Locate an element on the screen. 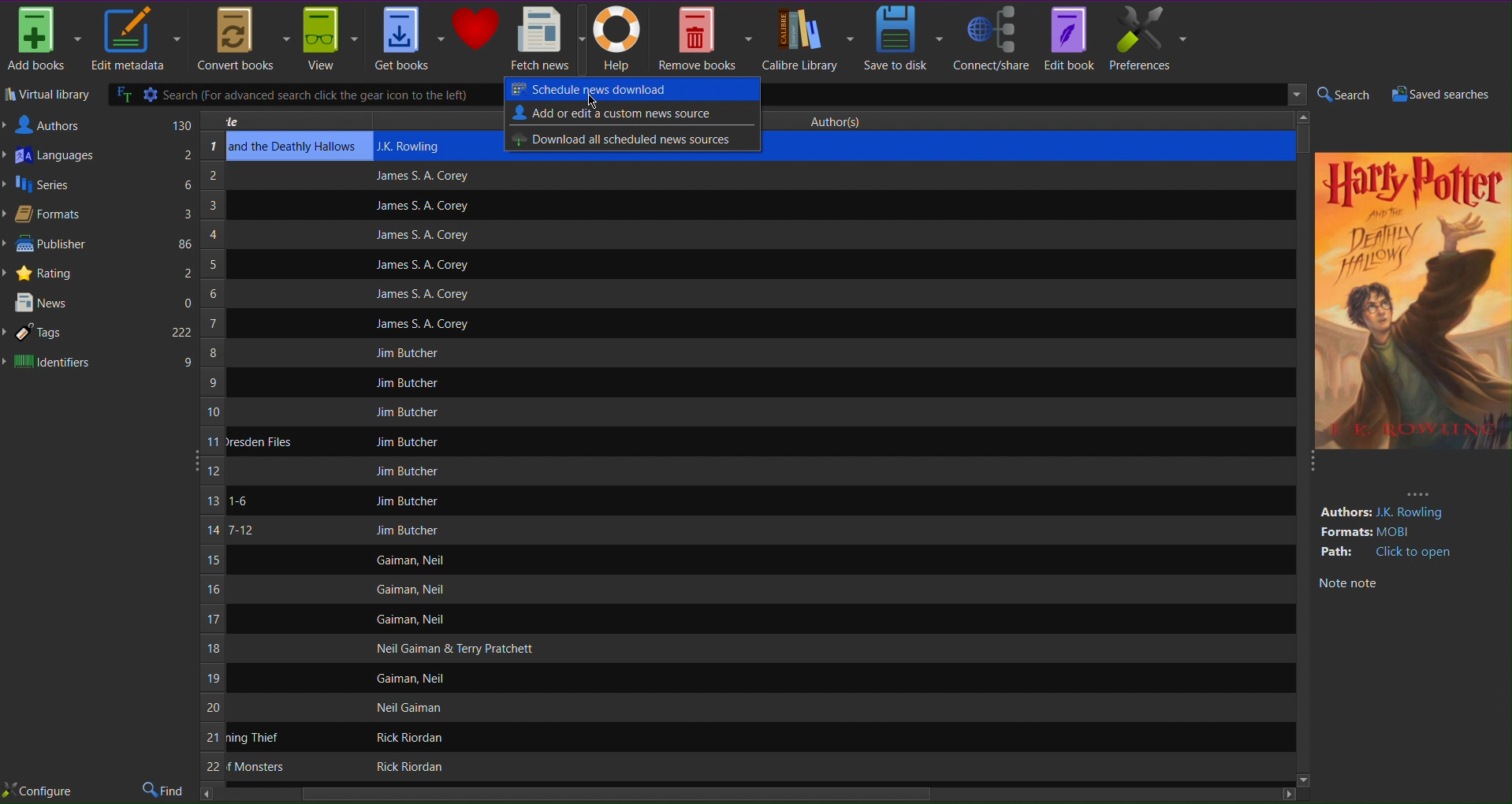 The image size is (1512, 804). Formats is located at coordinates (97, 216).